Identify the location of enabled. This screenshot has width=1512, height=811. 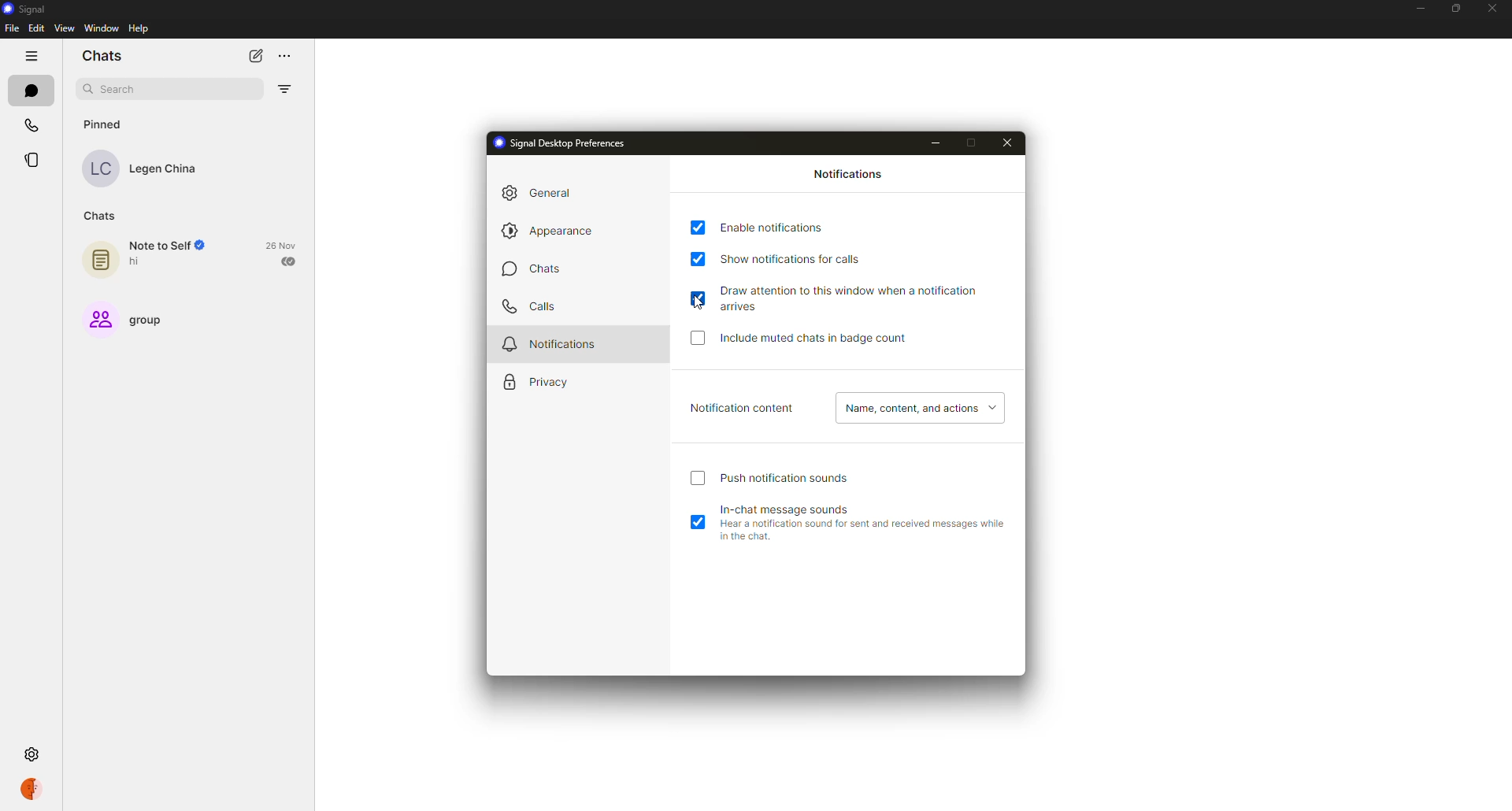
(698, 259).